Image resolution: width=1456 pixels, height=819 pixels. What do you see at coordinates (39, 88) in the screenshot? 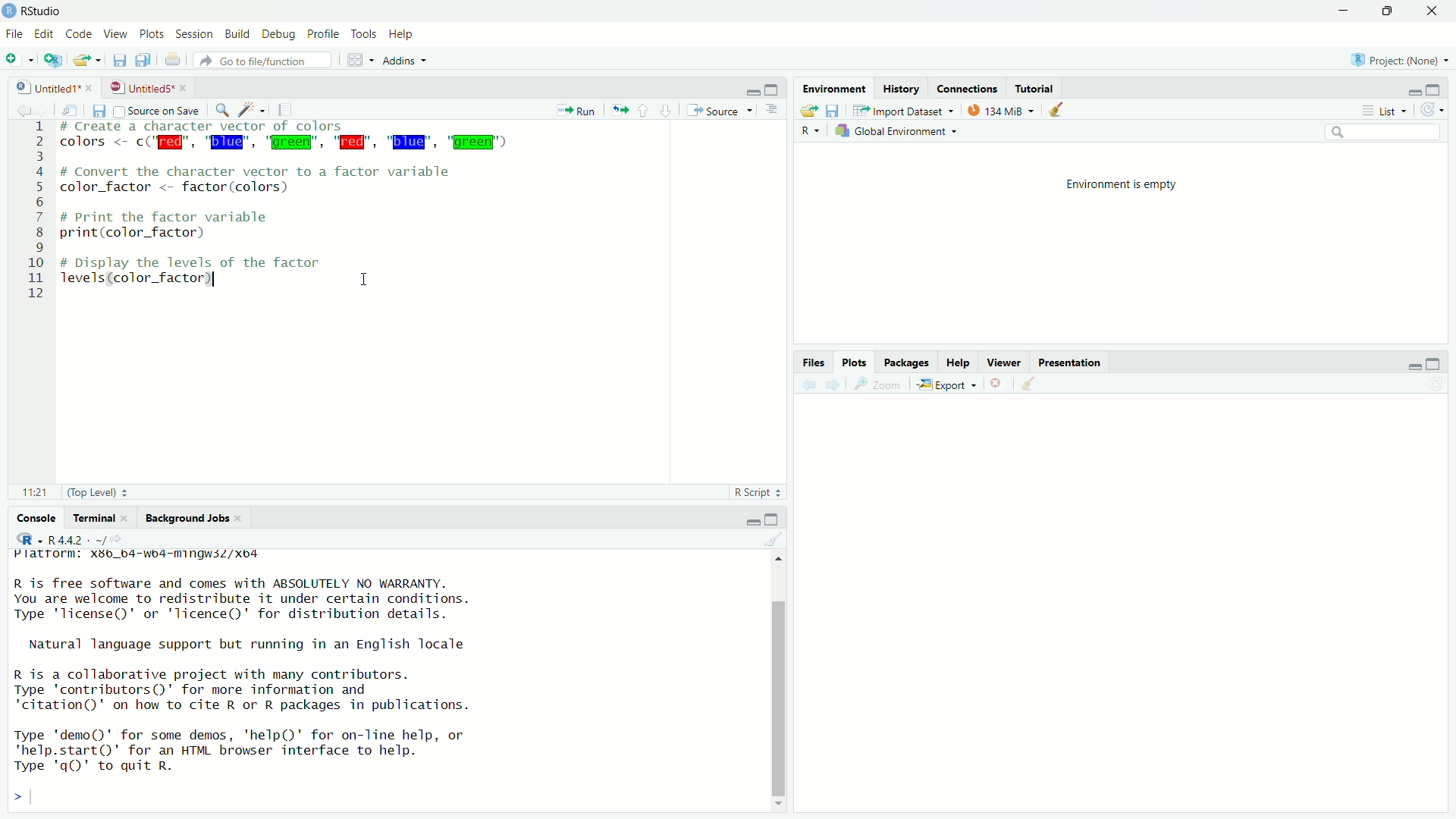
I see `untitled1` at bounding box center [39, 88].